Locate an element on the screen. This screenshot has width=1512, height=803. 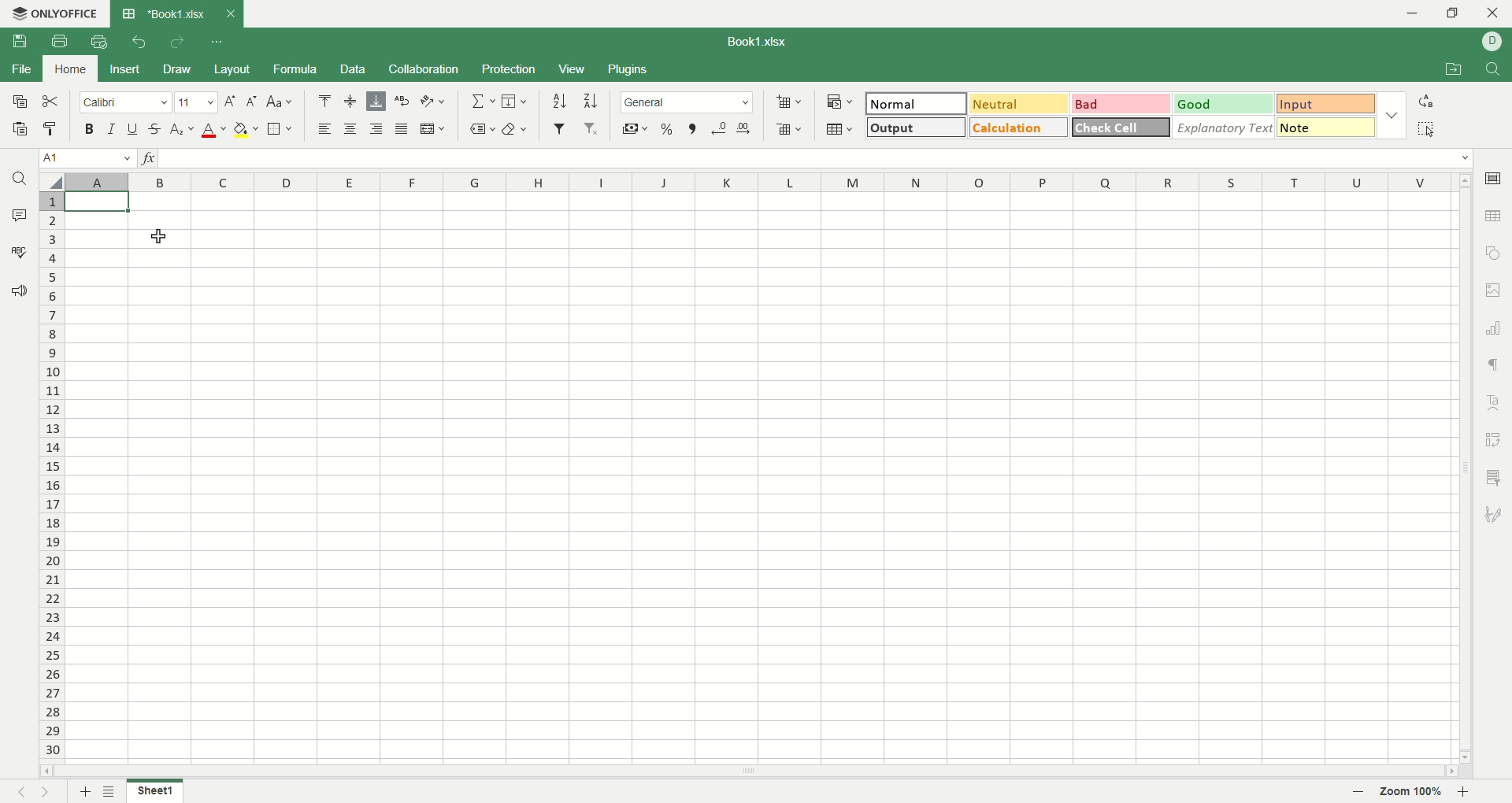
plugins is located at coordinates (628, 70).